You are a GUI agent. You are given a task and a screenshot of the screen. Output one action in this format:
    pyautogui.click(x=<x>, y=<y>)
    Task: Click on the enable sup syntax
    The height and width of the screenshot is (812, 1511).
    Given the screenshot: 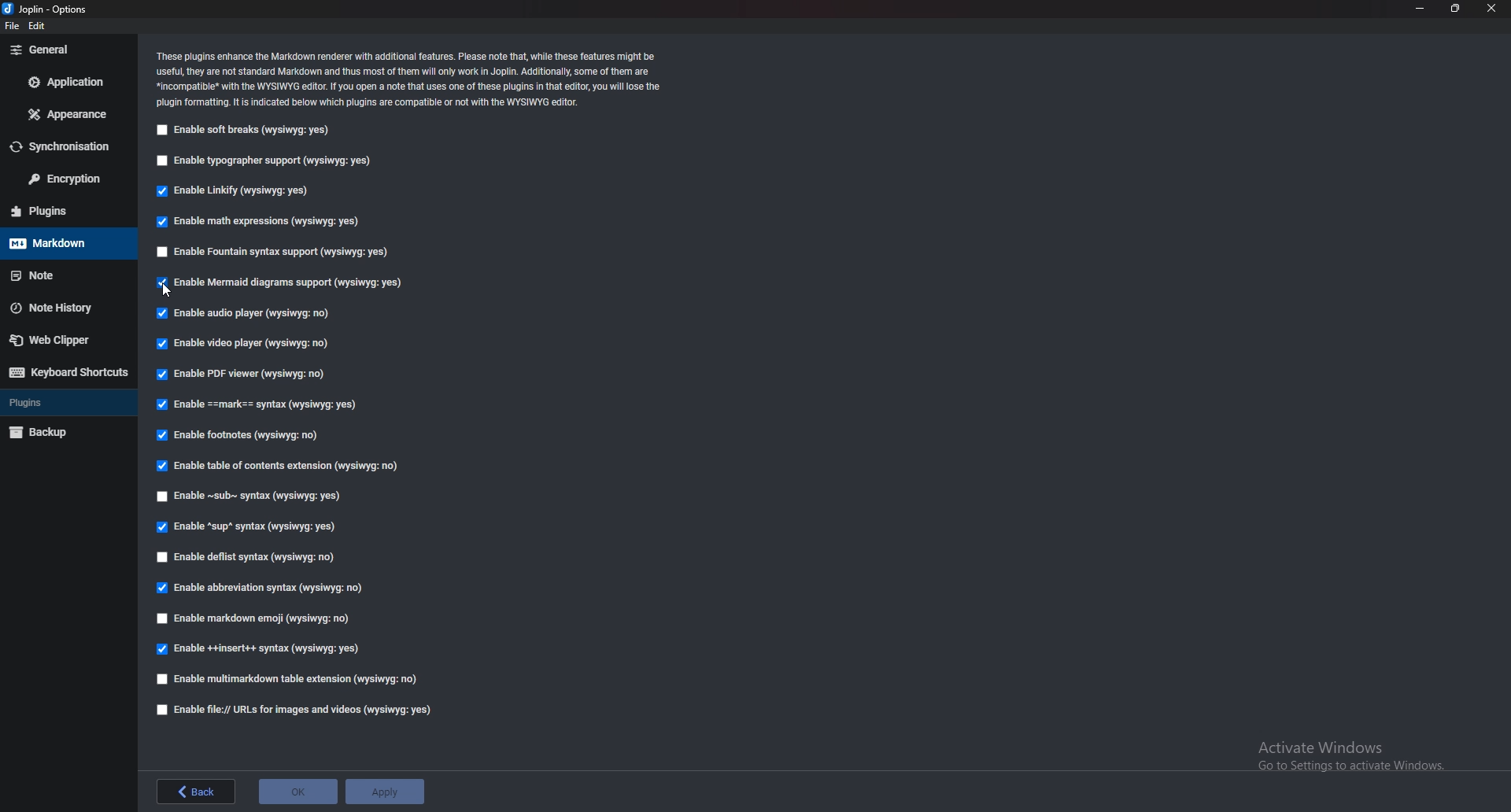 What is the action you would take?
    pyautogui.click(x=246, y=526)
    